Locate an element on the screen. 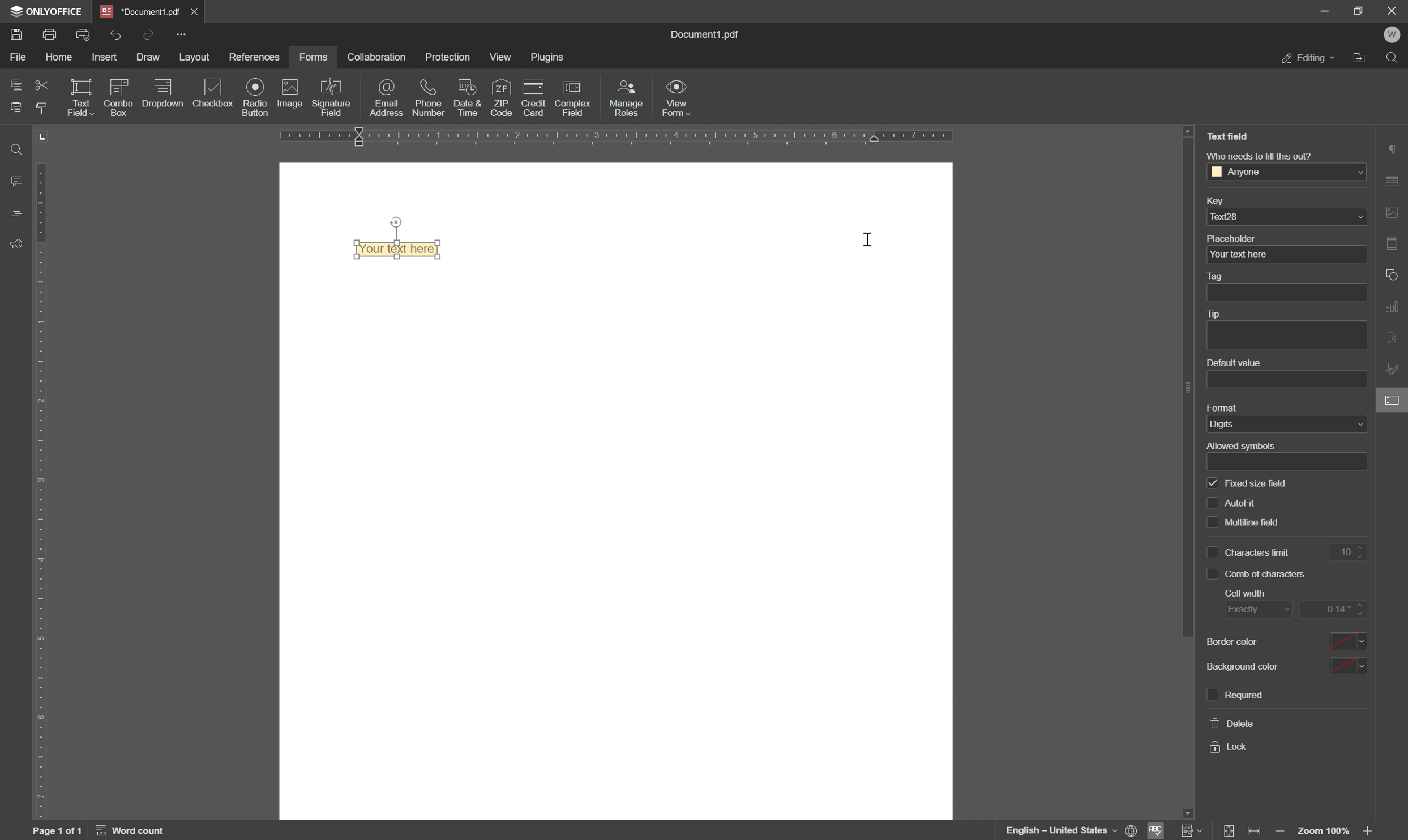 The height and width of the screenshot is (840, 1408). header and footer settings is located at coordinates (1392, 242).